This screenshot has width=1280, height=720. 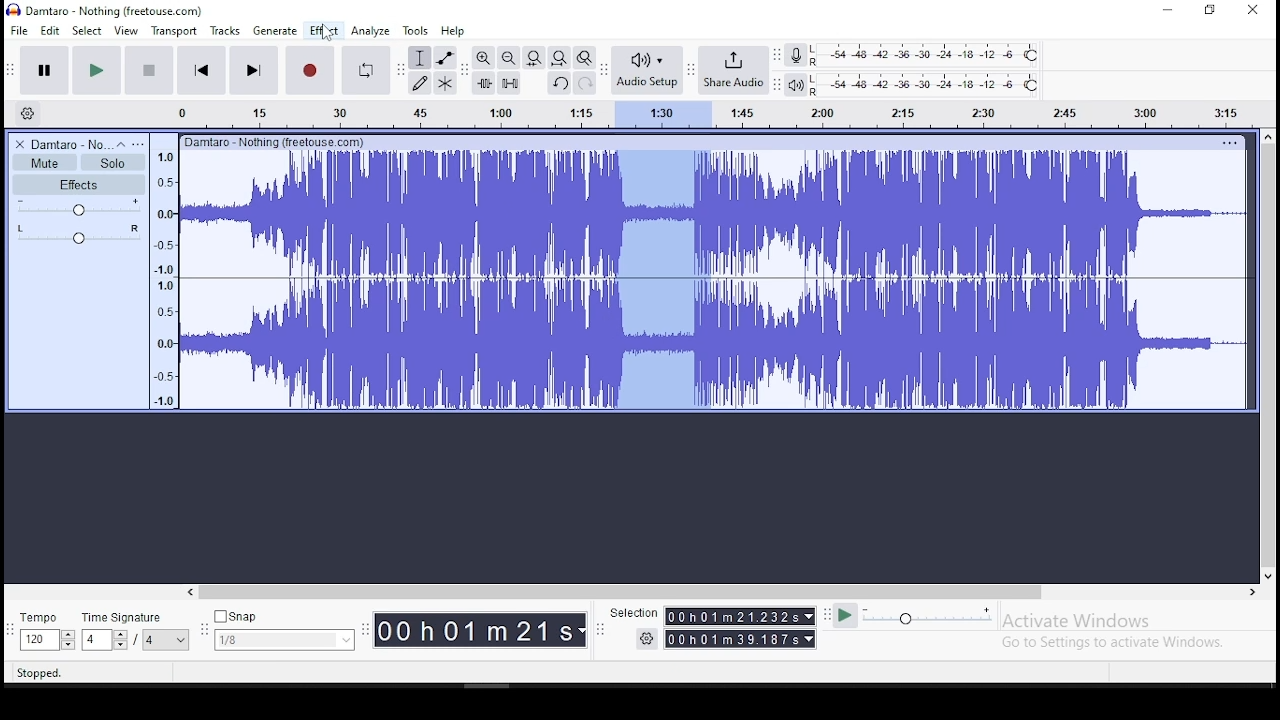 I want to click on generate, so click(x=273, y=31).